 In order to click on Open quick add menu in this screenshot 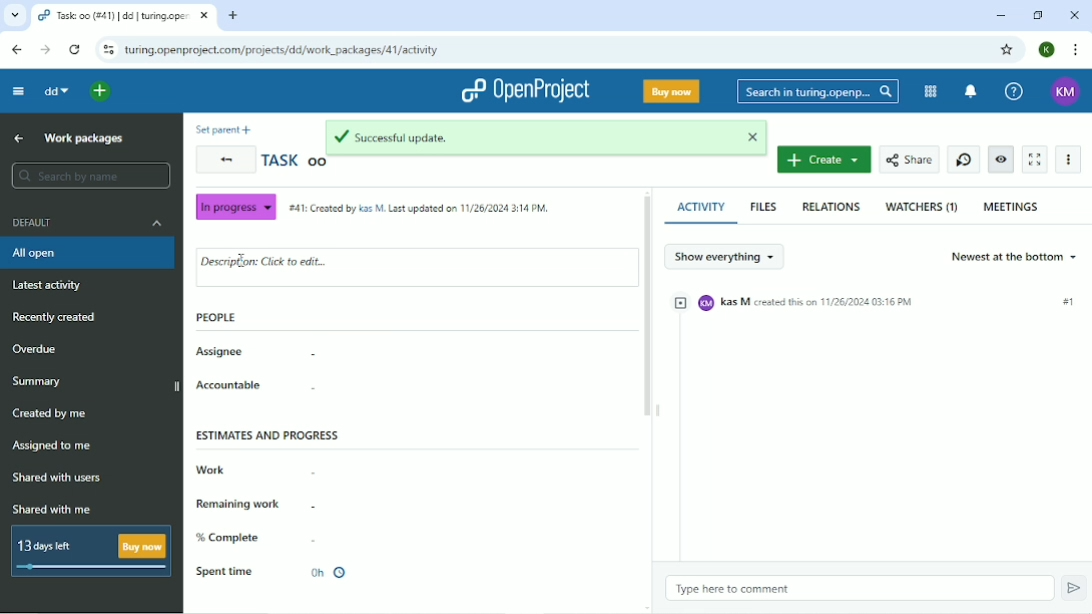, I will do `click(100, 92)`.